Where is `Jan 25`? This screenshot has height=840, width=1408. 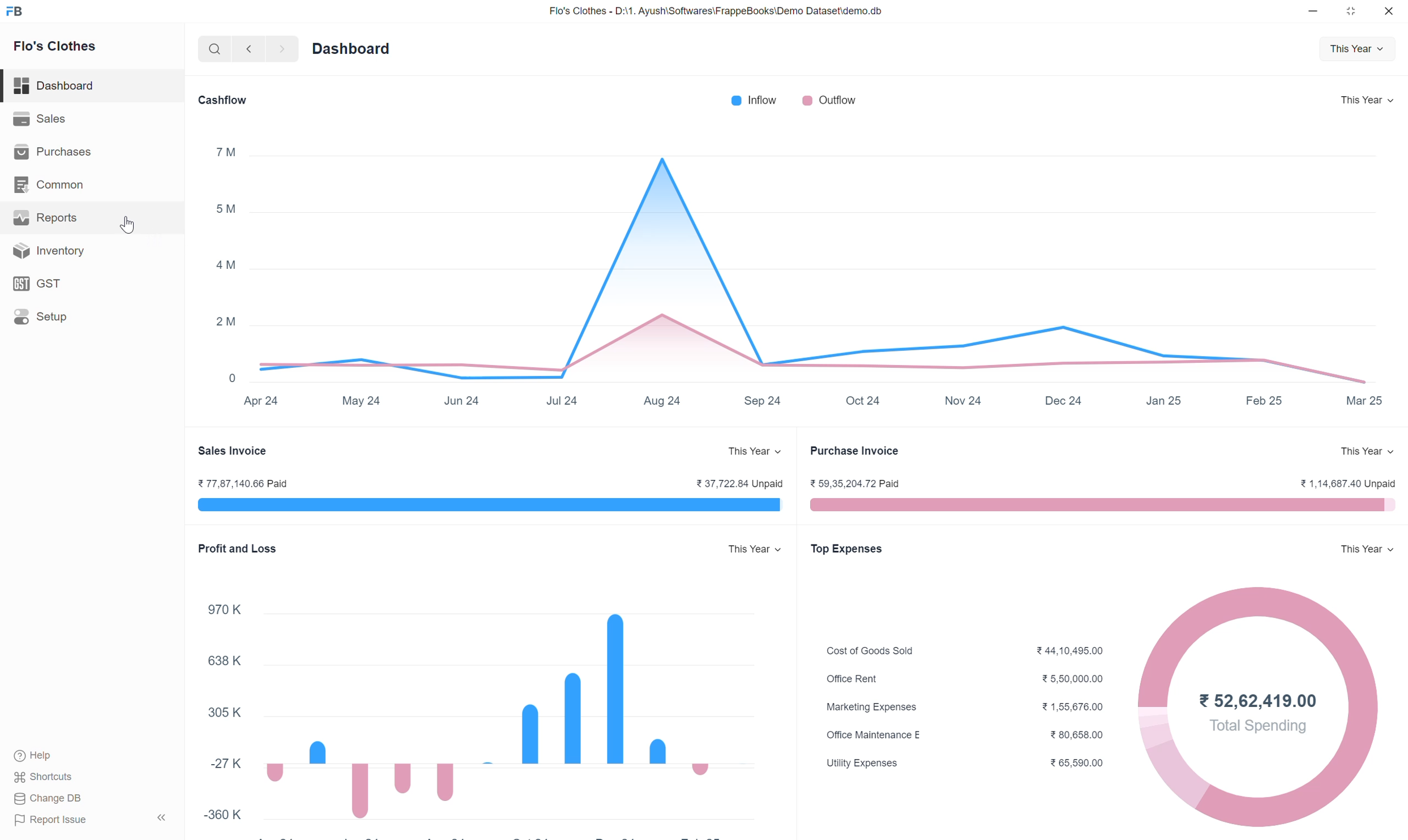 Jan 25 is located at coordinates (1162, 402).